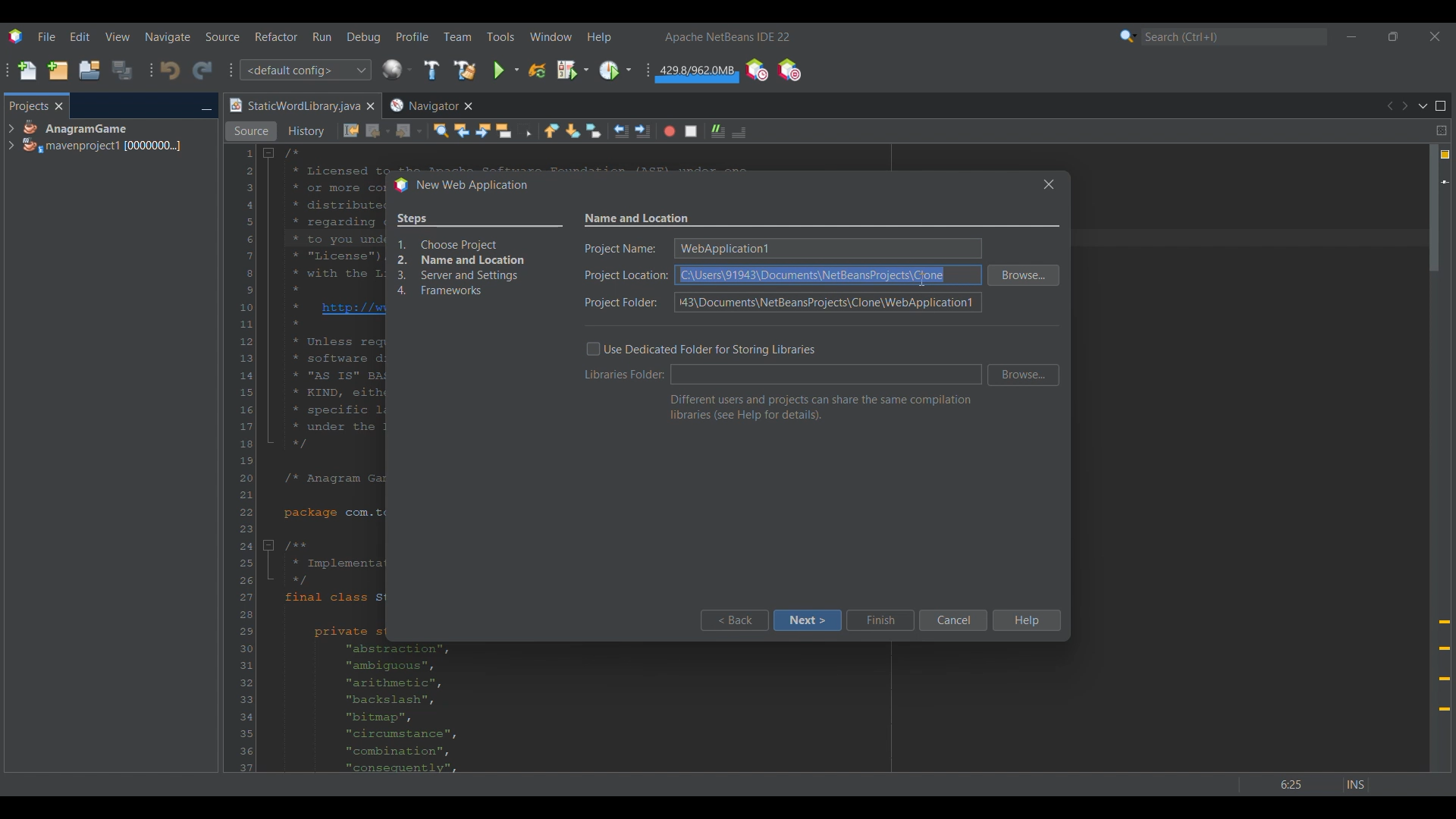 The image size is (1456, 819). Describe the element at coordinates (58, 70) in the screenshot. I see `New project` at that location.